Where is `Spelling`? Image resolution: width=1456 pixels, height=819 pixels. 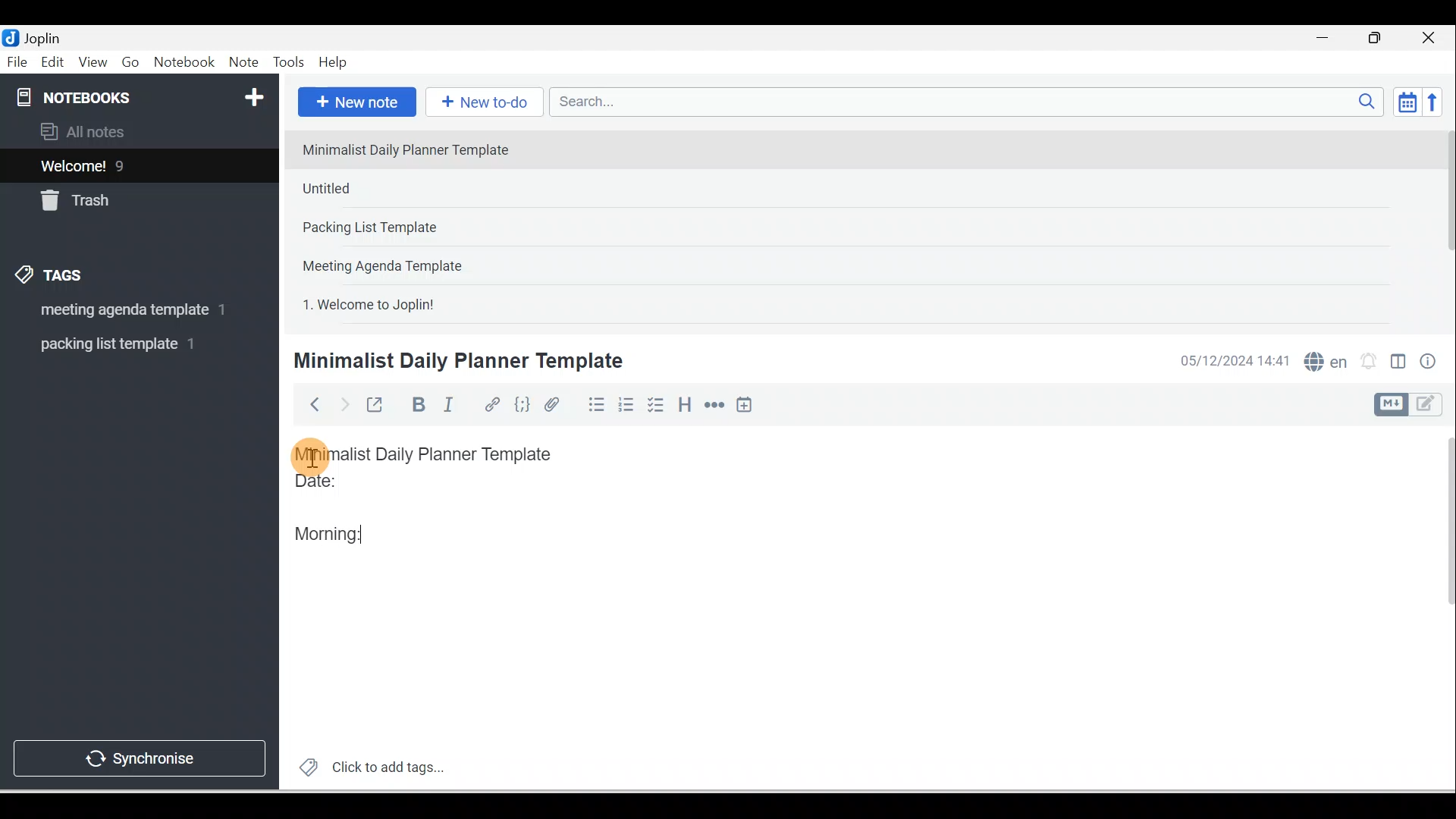
Spelling is located at coordinates (1323, 359).